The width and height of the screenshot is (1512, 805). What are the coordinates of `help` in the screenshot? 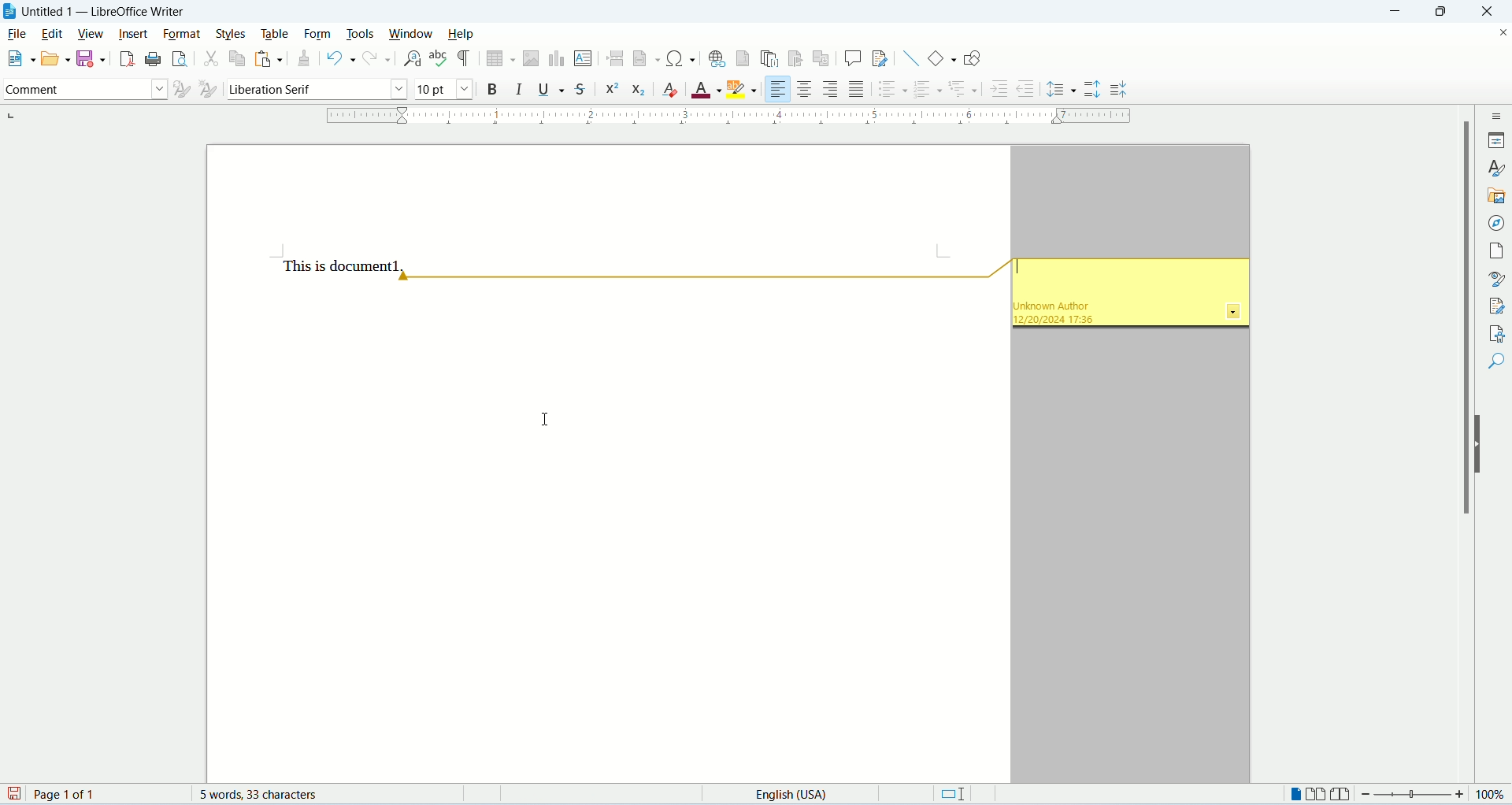 It's located at (462, 34).